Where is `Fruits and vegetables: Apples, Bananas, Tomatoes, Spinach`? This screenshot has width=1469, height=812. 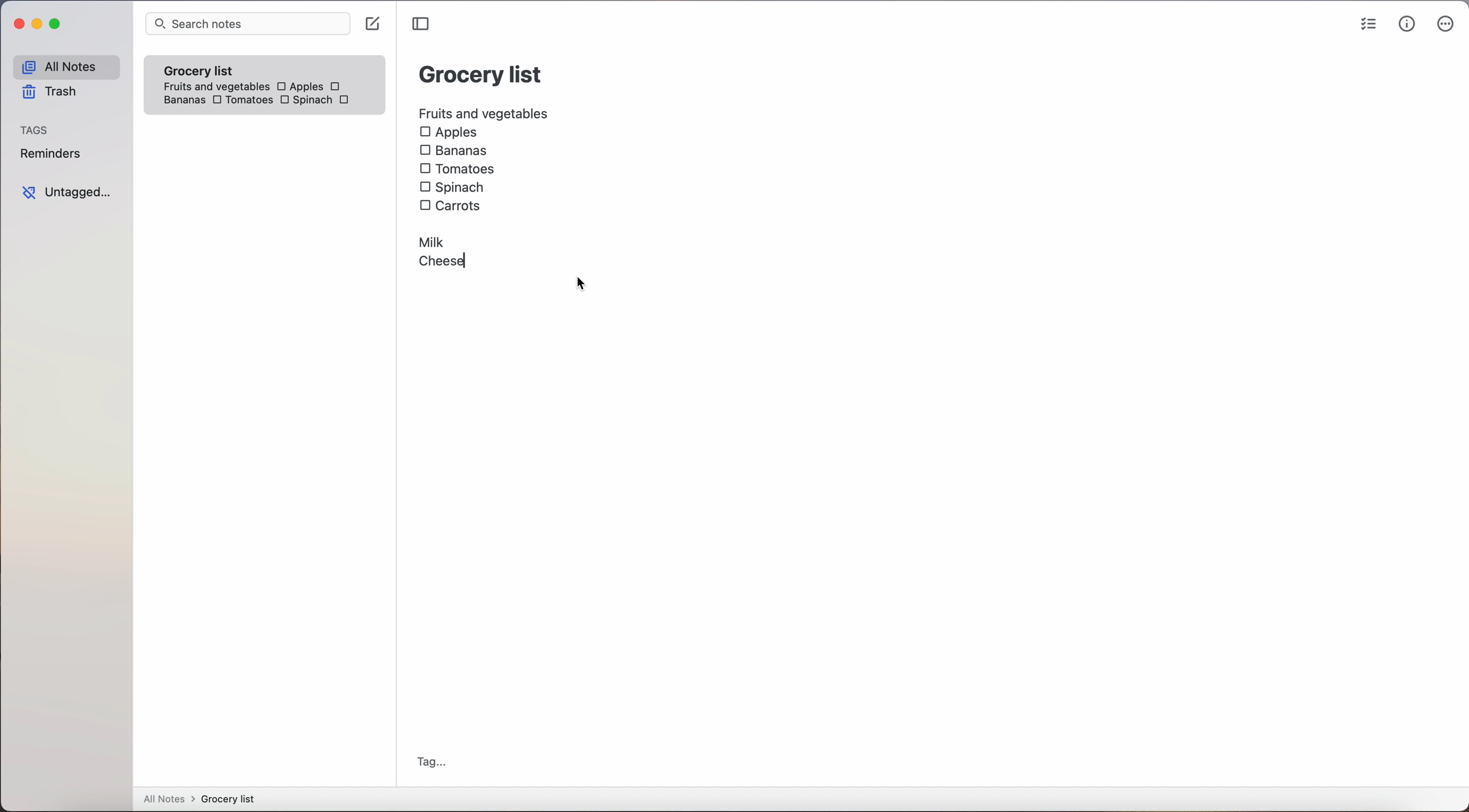
Fruits and vegetables: Apples, Bananas, Tomatoes, Spinach is located at coordinates (268, 90).